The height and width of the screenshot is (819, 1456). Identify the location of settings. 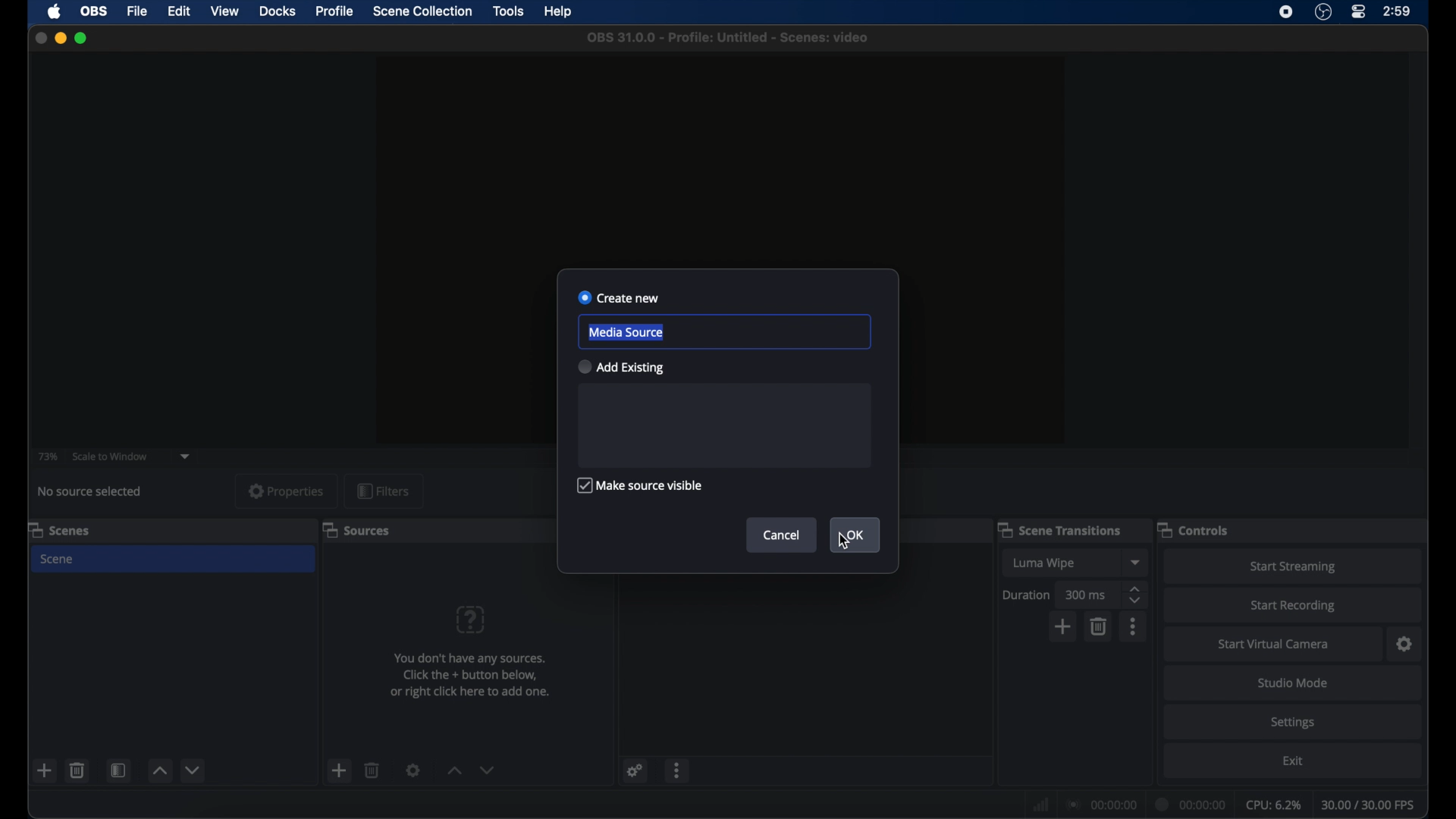
(413, 770).